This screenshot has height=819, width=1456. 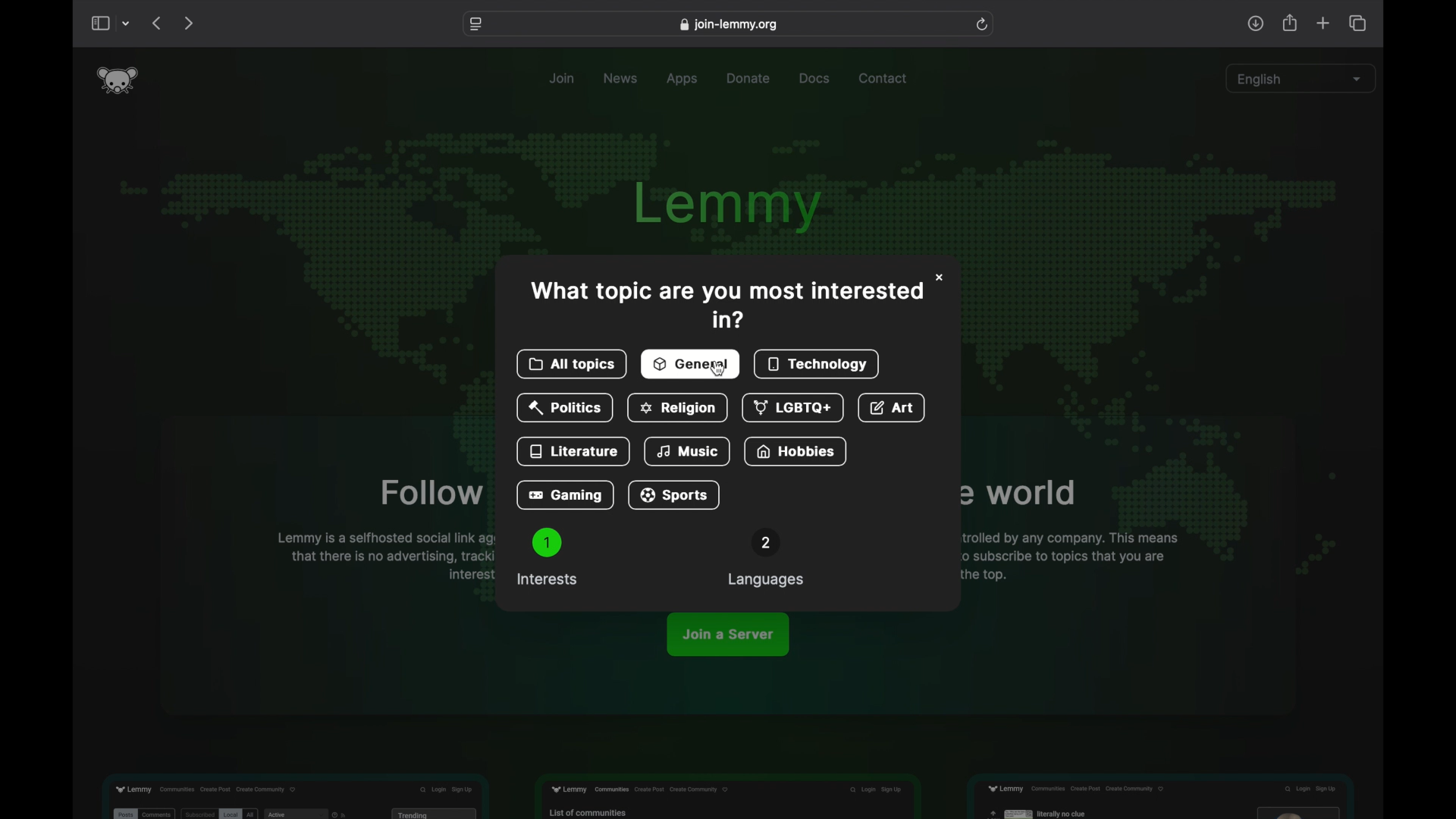 What do you see at coordinates (819, 365) in the screenshot?
I see `technology` at bounding box center [819, 365].